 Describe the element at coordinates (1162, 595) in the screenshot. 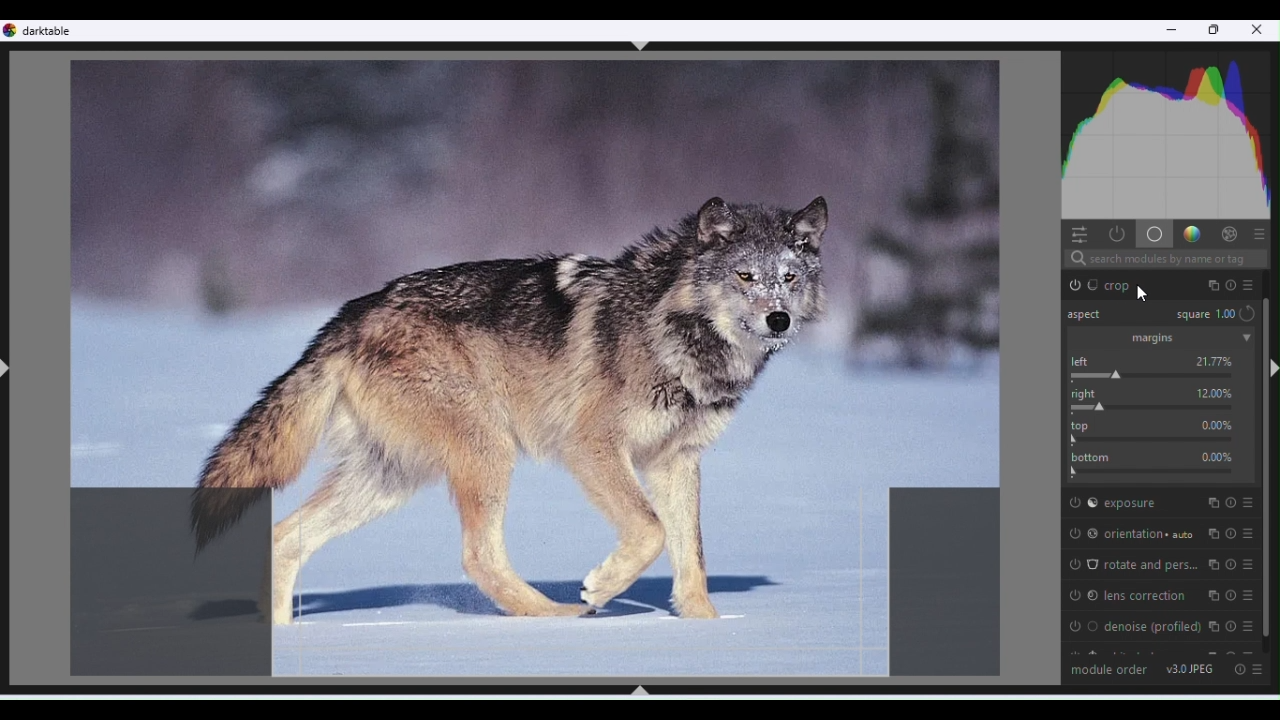

I see `Lens correction` at that location.